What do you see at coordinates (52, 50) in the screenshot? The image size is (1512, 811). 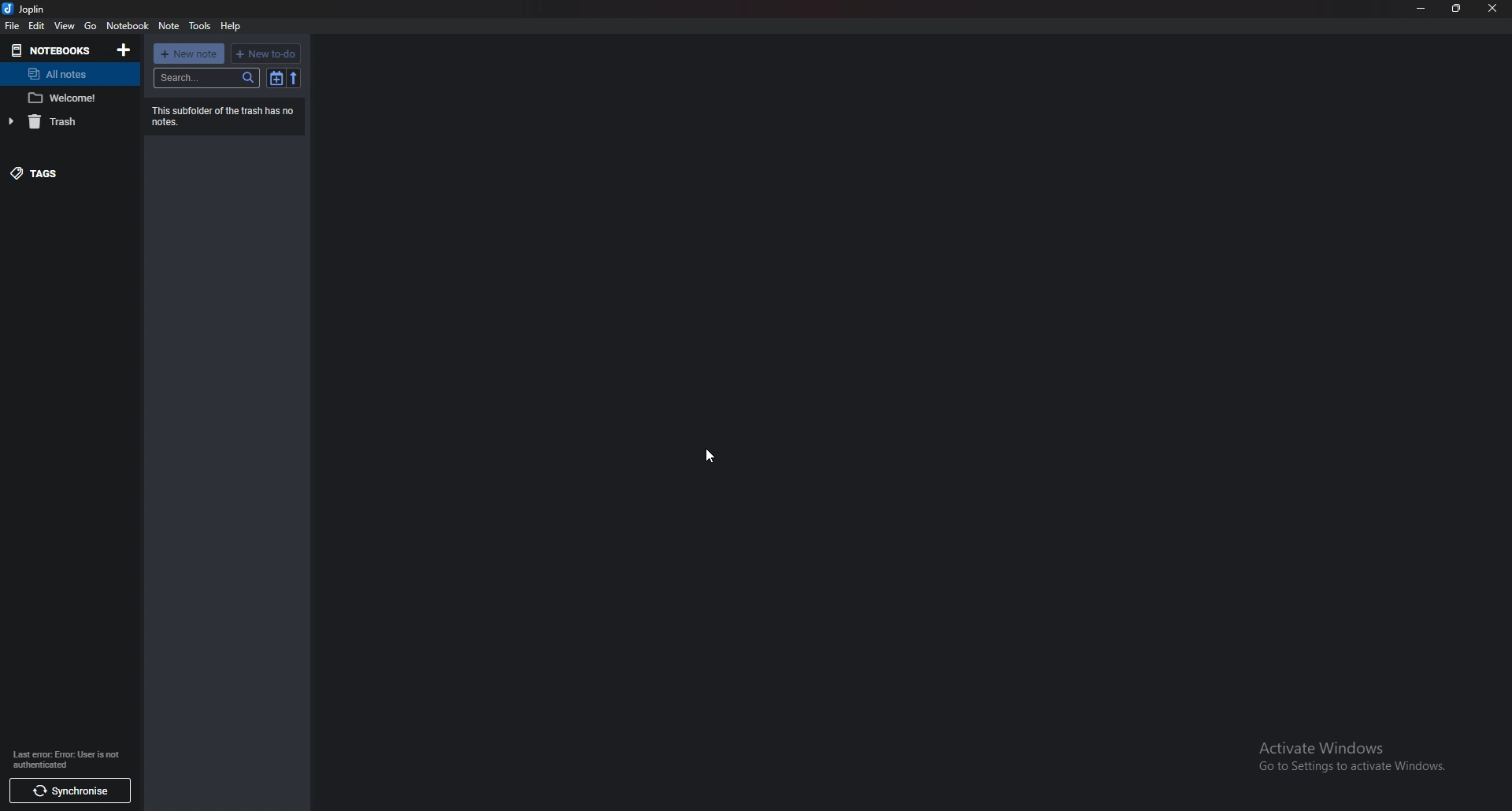 I see `Notebooks` at bounding box center [52, 50].